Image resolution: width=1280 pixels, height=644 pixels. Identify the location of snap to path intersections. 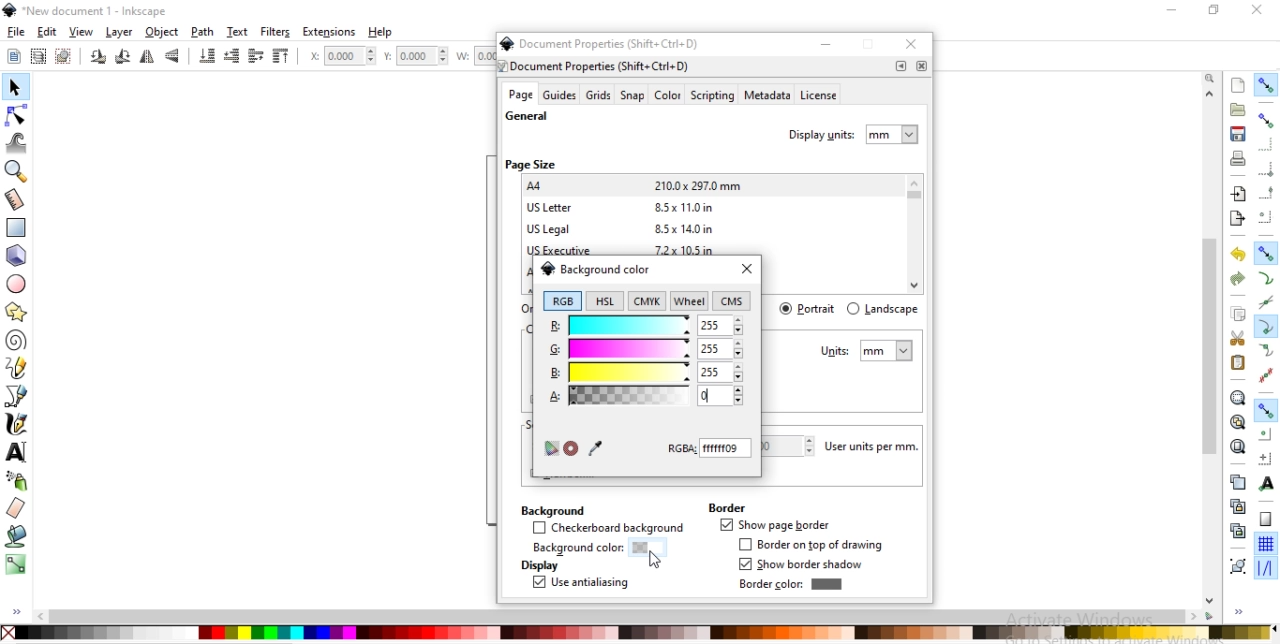
(1265, 303).